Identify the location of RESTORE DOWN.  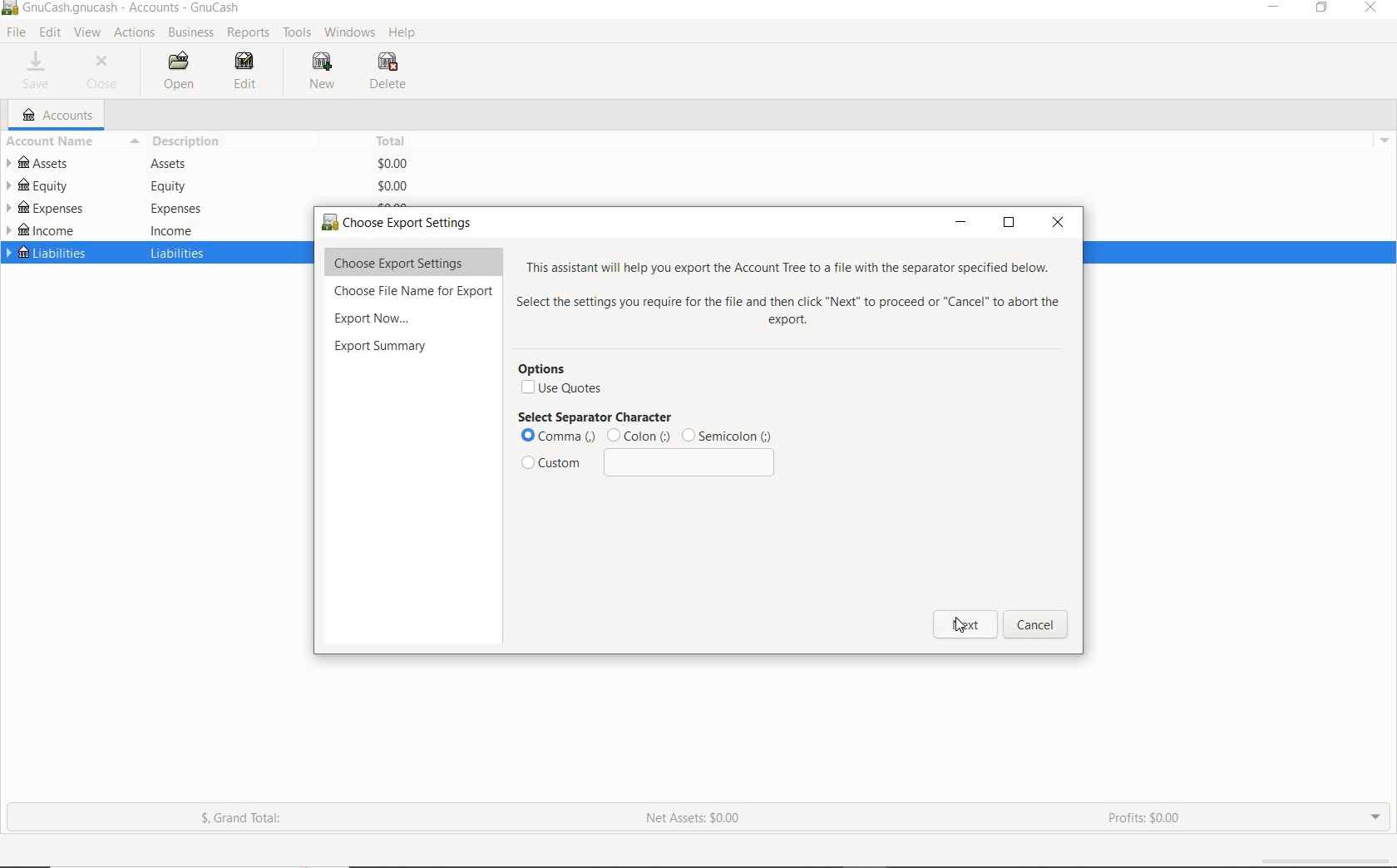
(1321, 9).